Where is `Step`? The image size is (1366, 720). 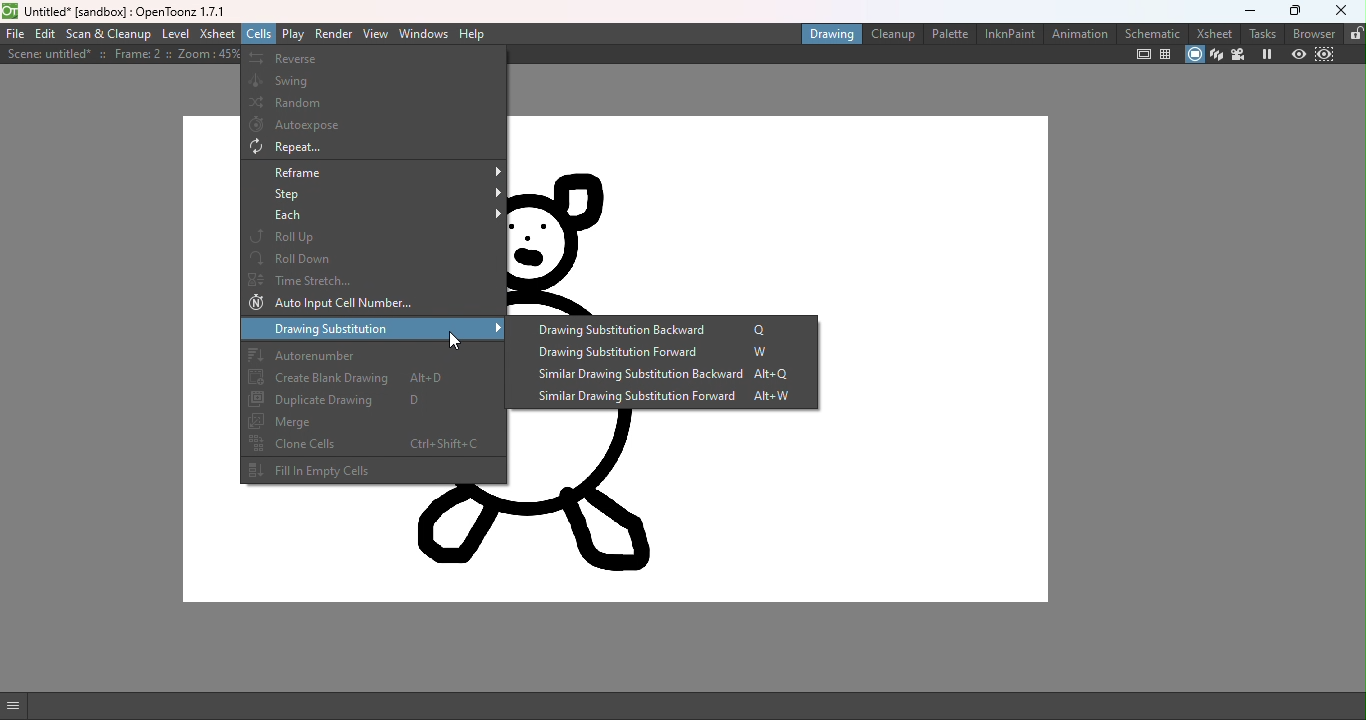 Step is located at coordinates (375, 195).